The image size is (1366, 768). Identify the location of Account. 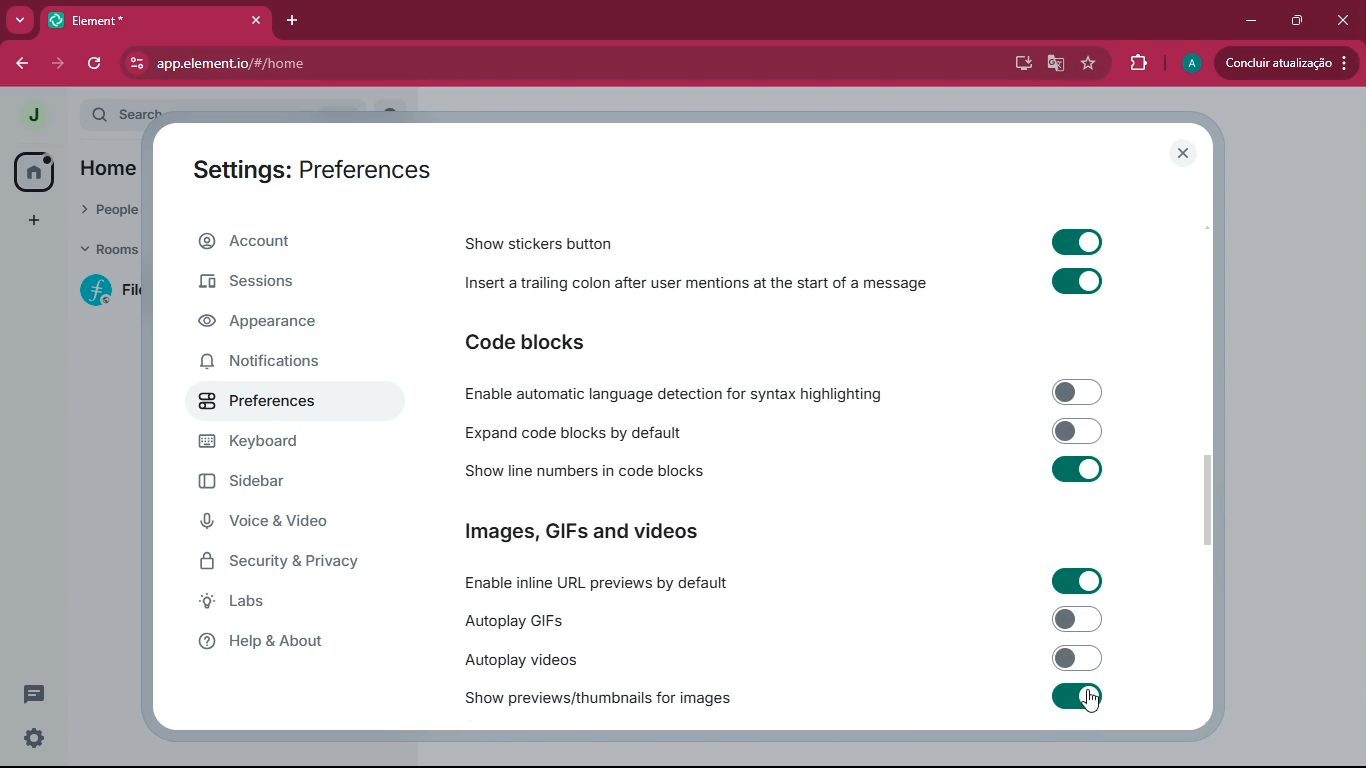
(283, 241).